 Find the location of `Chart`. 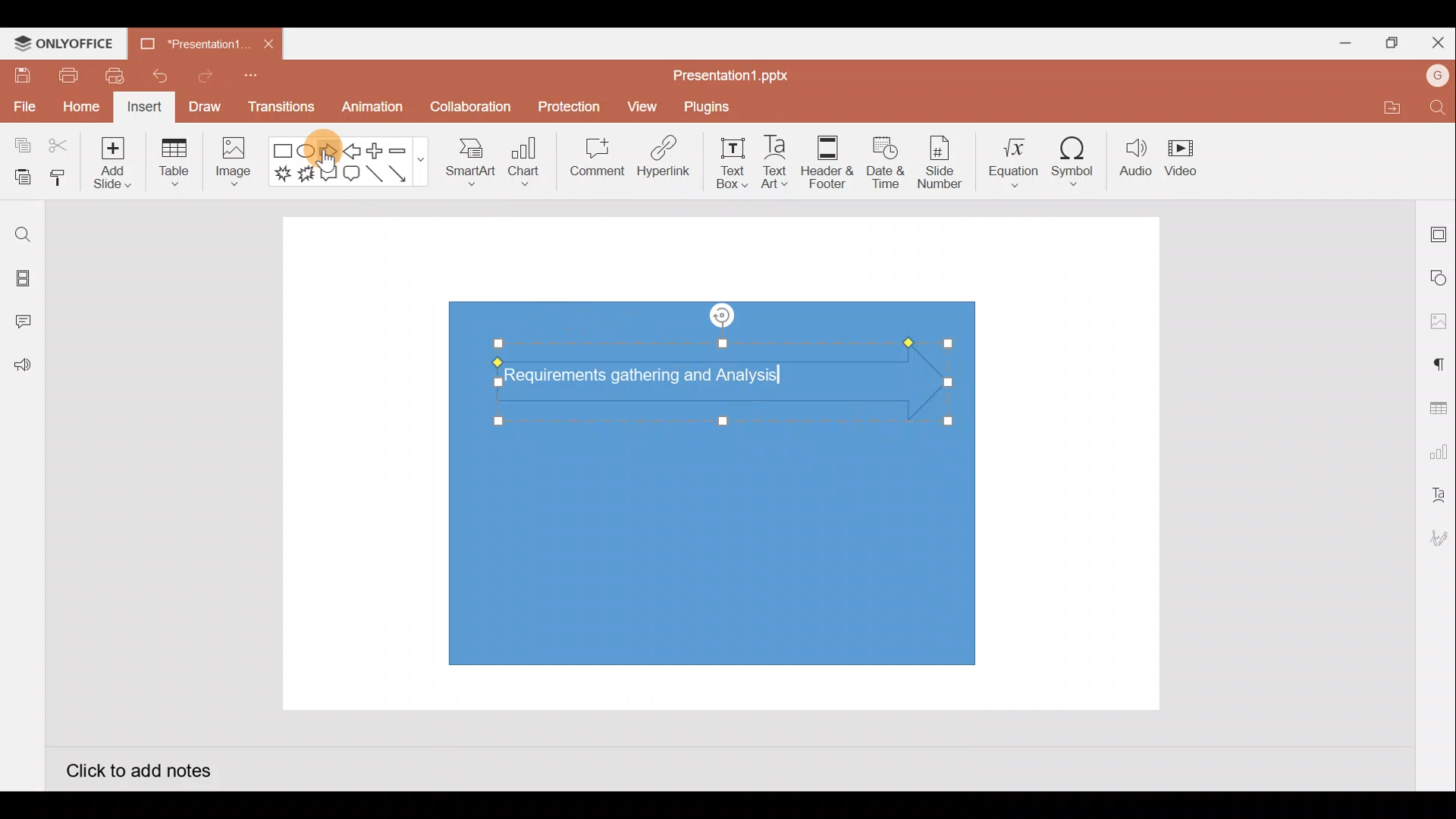

Chart is located at coordinates (525, 160).